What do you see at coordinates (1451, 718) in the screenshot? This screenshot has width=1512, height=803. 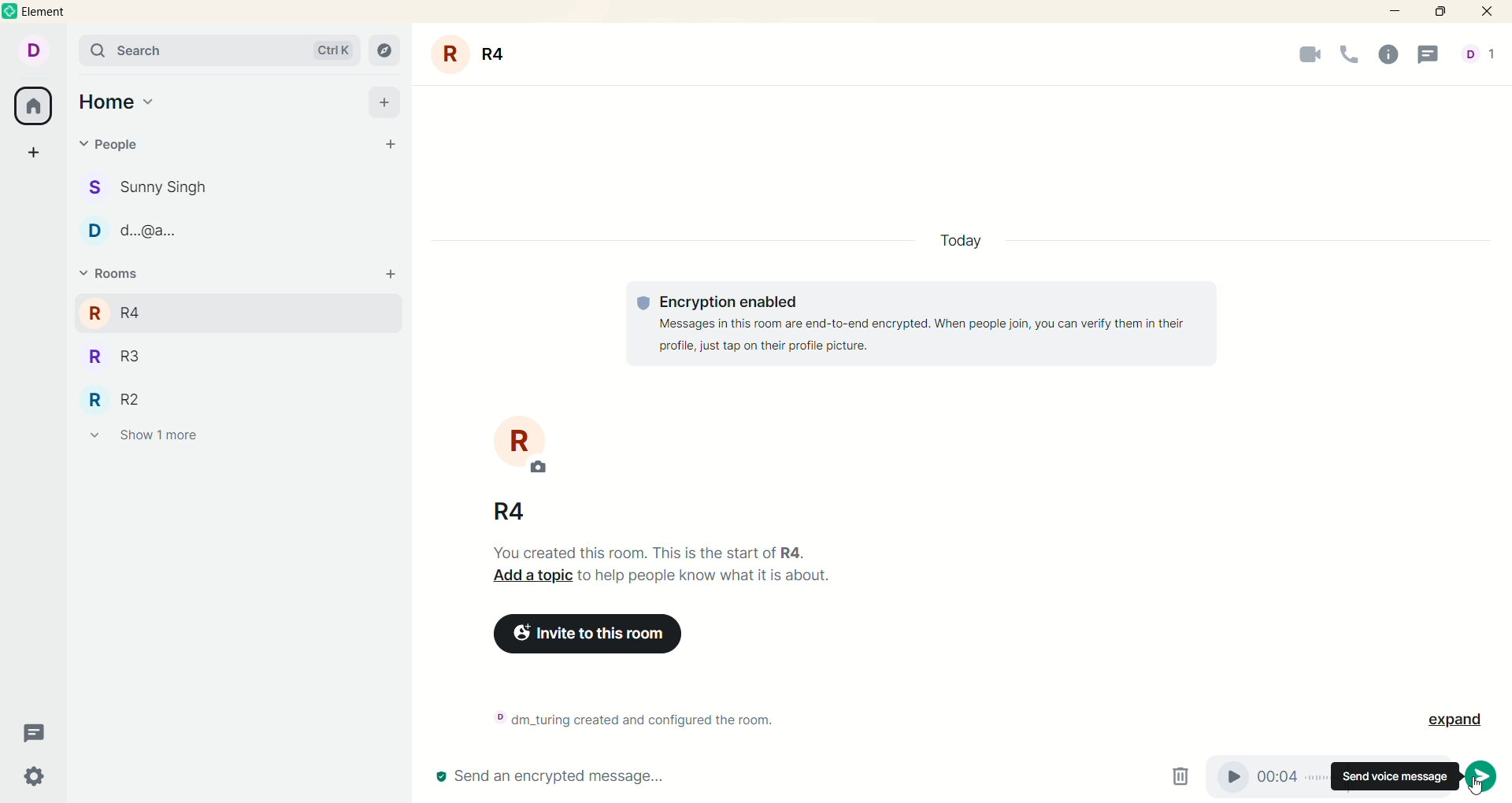 I see `expand` at bounding box center [1451, 718].